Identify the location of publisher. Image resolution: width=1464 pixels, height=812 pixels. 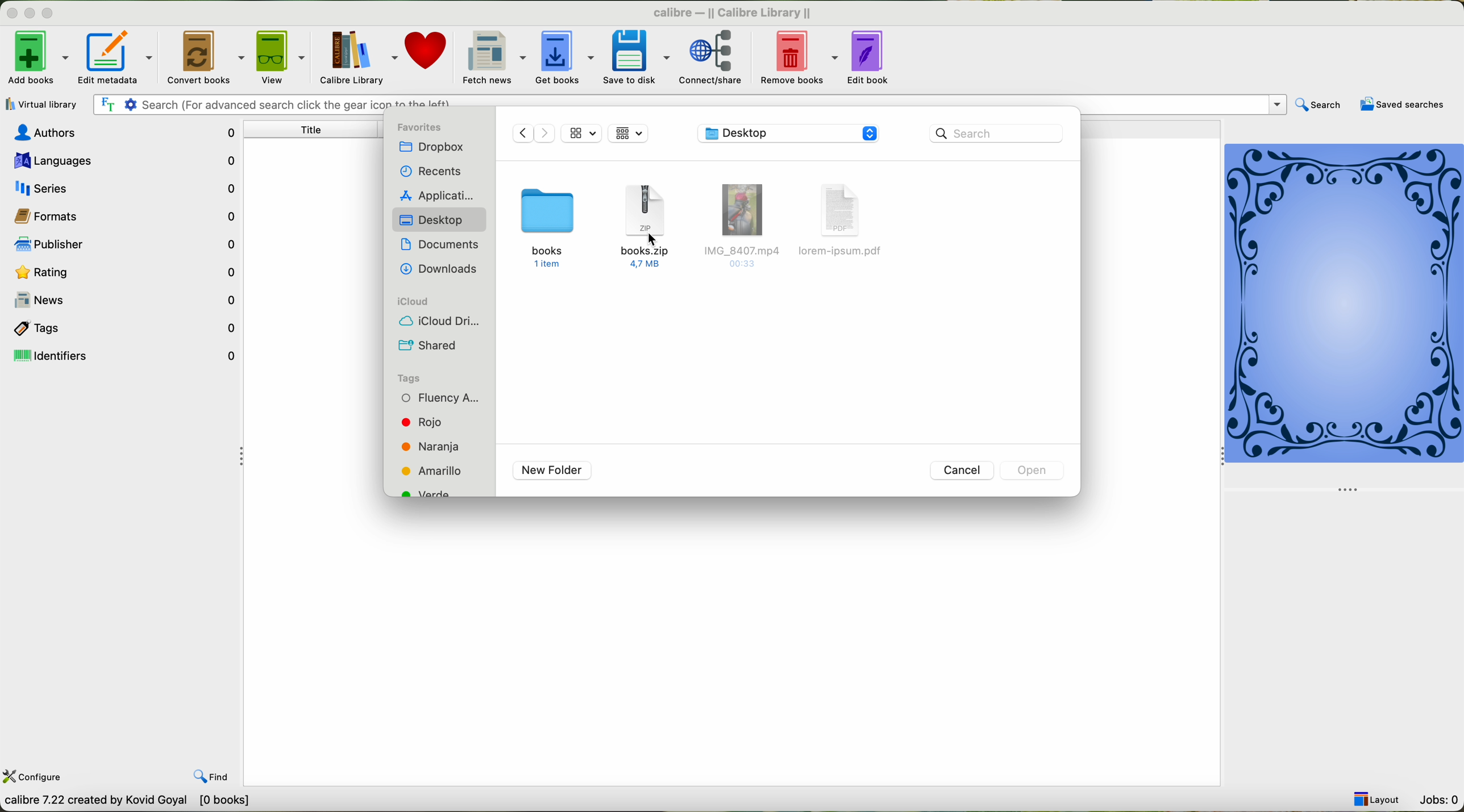
(120, 247).